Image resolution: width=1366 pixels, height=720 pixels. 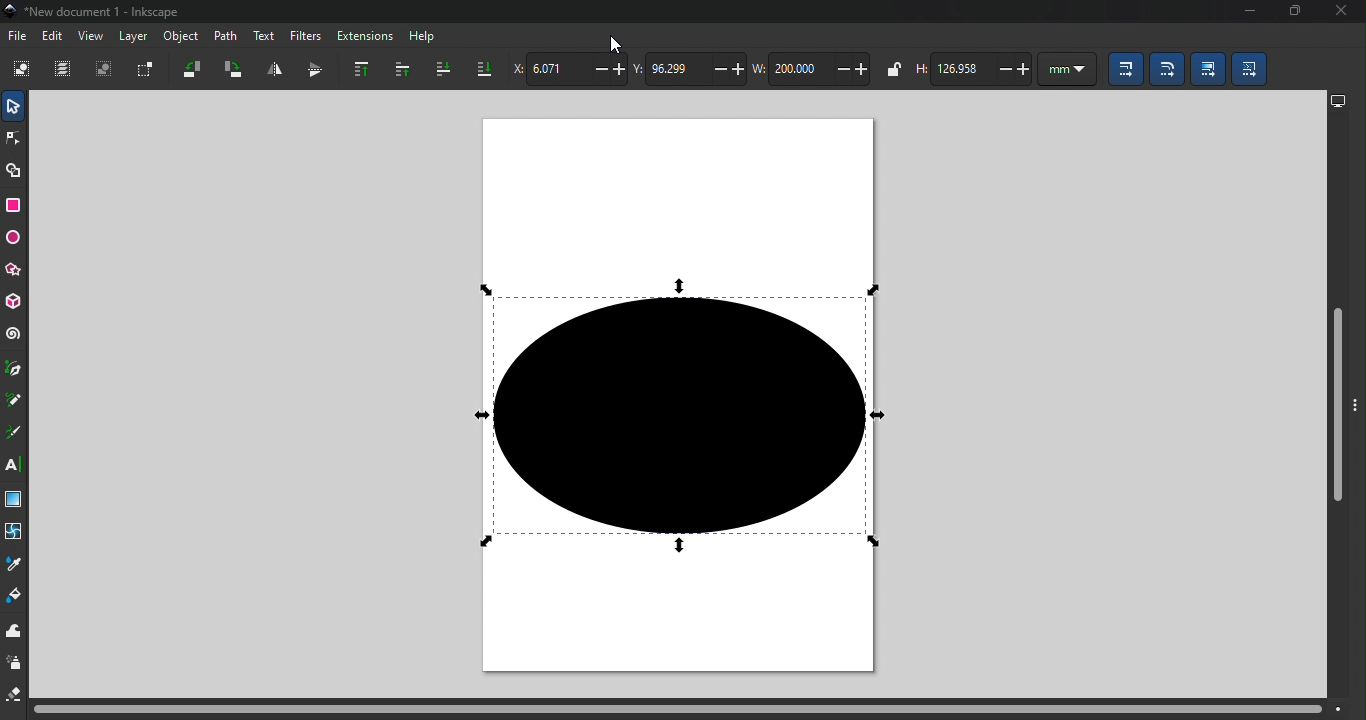 What do you see at coordinates (689, 710) in the screenshot?
I see `Horizontal scroll bar` at bounding box center [689, 710].